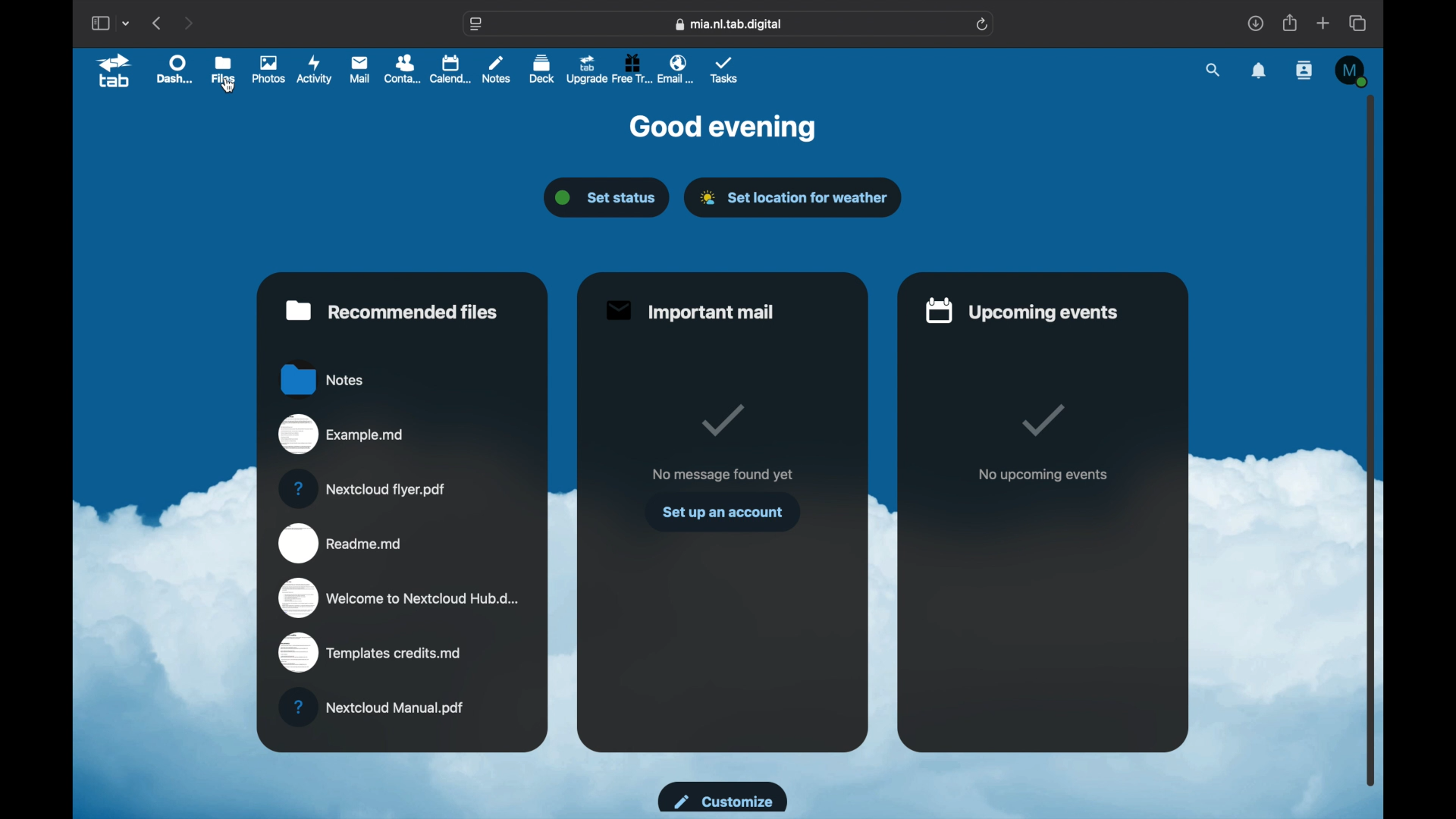 This screenshot has width=1456, height=819. Describe the element at coordinates (497, 71) in the screenshot. I see `notes` at that location.